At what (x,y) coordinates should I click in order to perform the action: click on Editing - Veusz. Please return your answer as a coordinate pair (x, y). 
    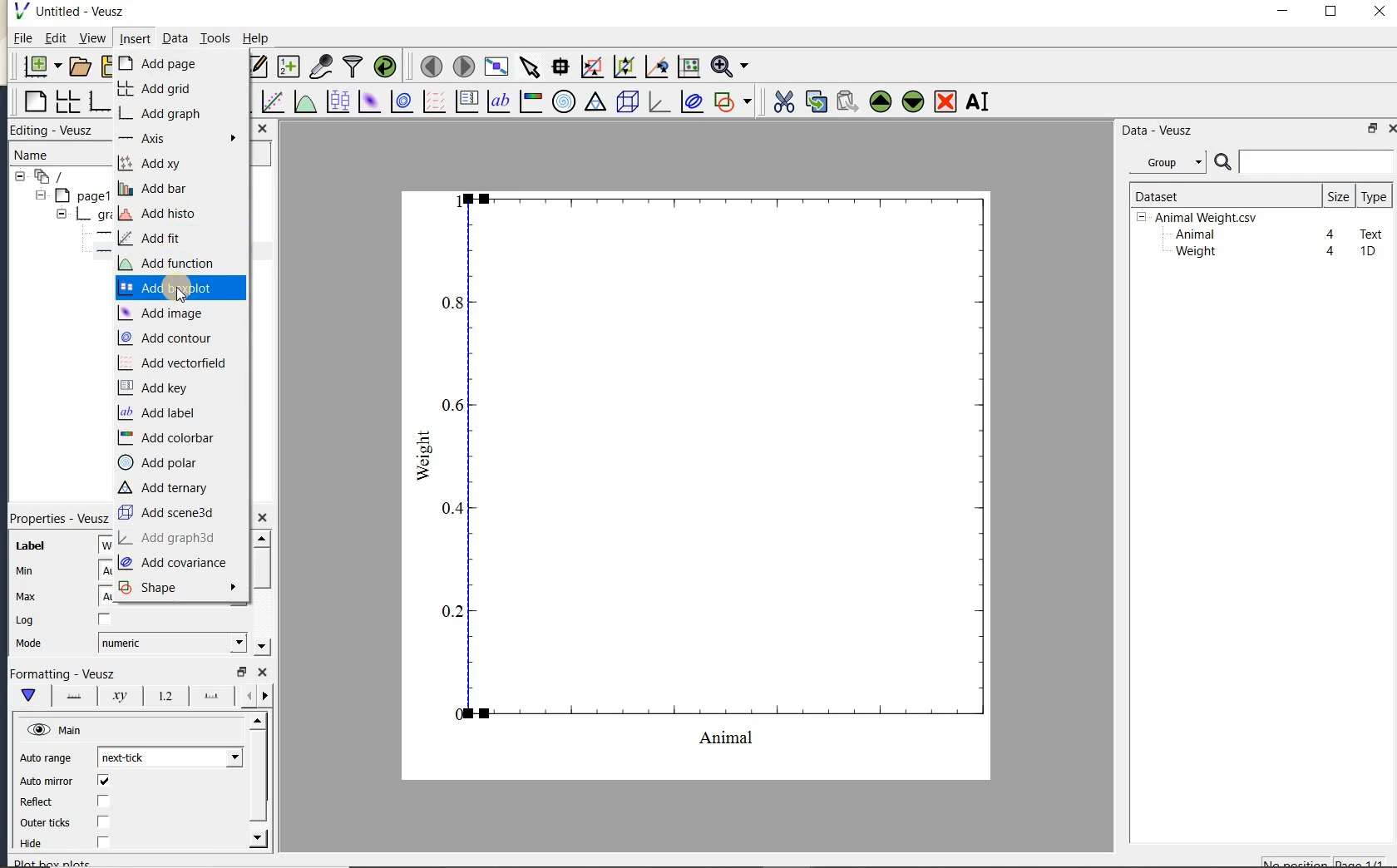
    Looking at the image, I should click on (61, 131).